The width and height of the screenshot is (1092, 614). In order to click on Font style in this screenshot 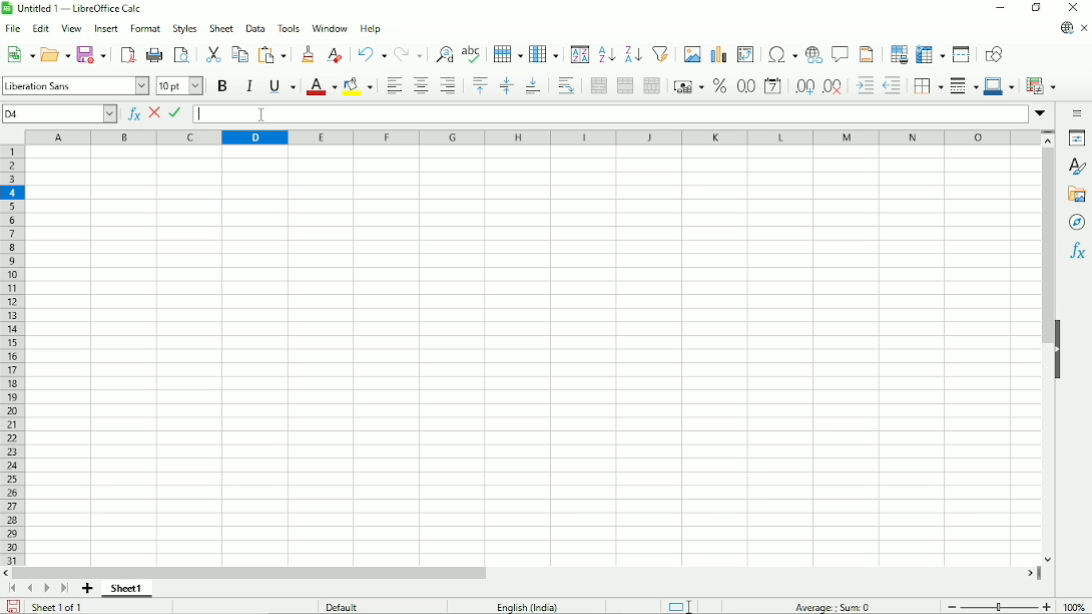, I will do `click(75, 86)`.